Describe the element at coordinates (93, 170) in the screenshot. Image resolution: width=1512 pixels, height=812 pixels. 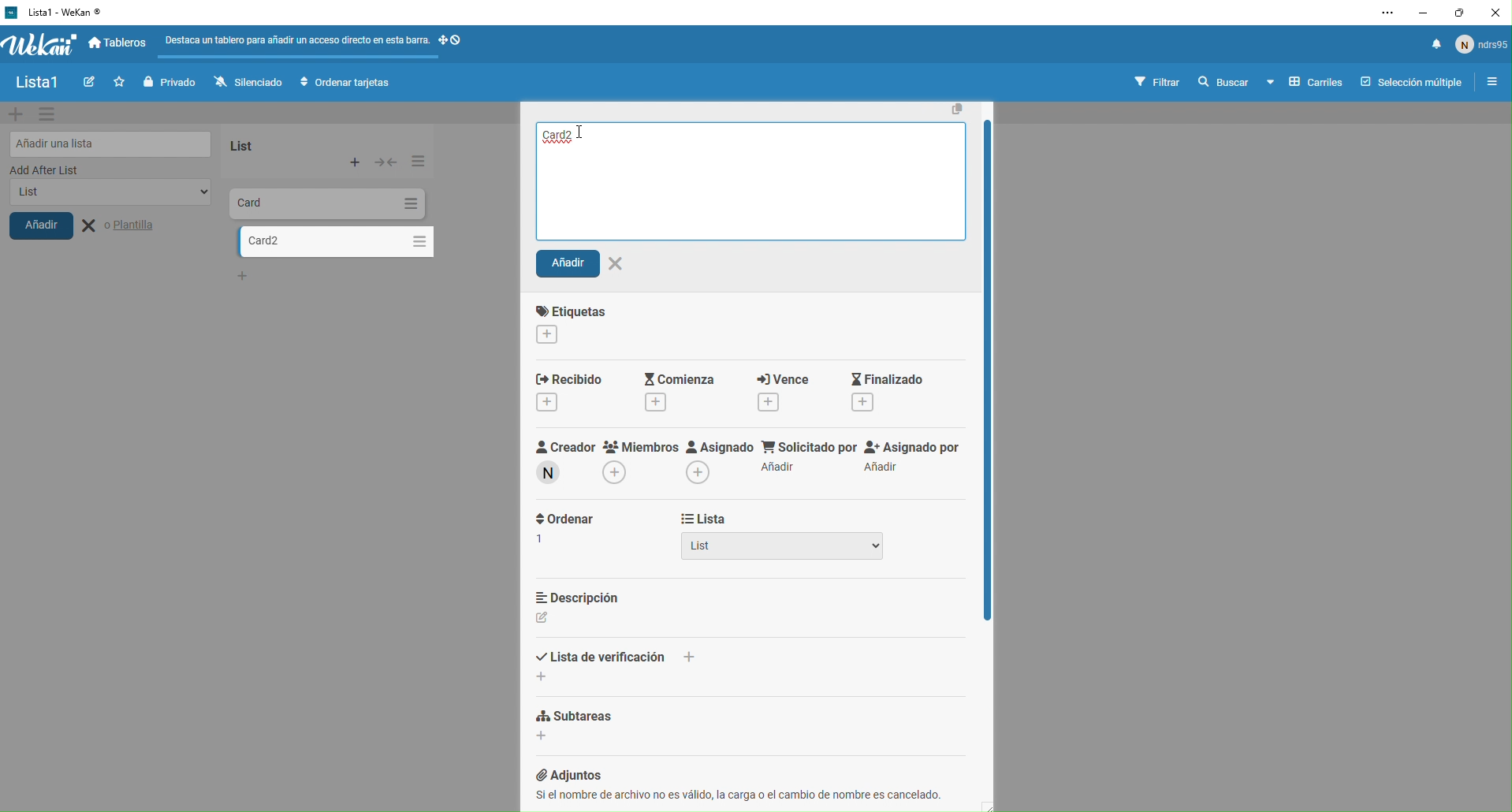
I see `add after list` at that location.